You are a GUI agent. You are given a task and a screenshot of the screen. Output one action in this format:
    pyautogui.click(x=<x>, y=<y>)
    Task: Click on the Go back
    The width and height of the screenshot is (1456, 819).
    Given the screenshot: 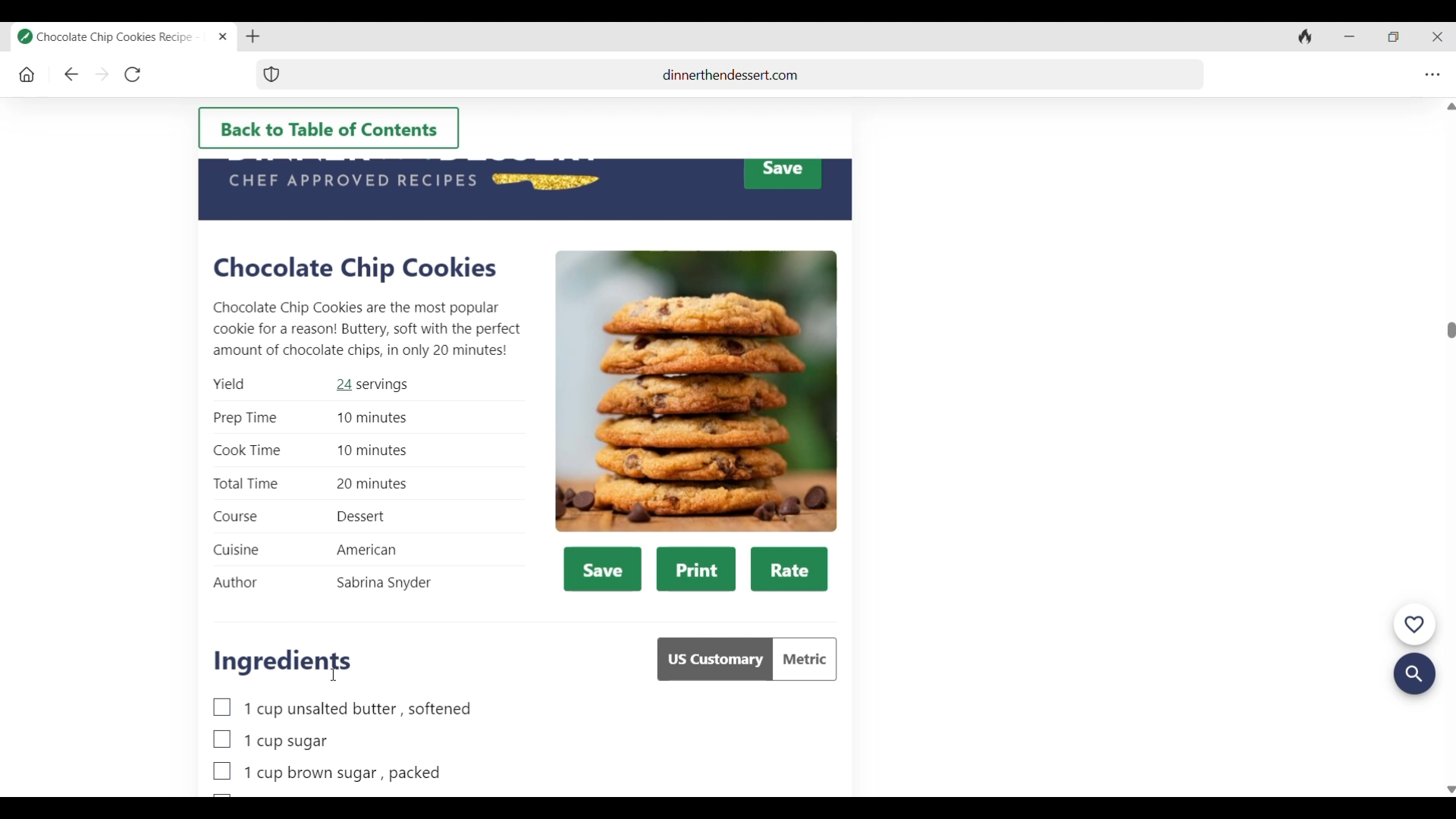 What is the action you would take?
    pyautogui.click(x=71, y=75)
    